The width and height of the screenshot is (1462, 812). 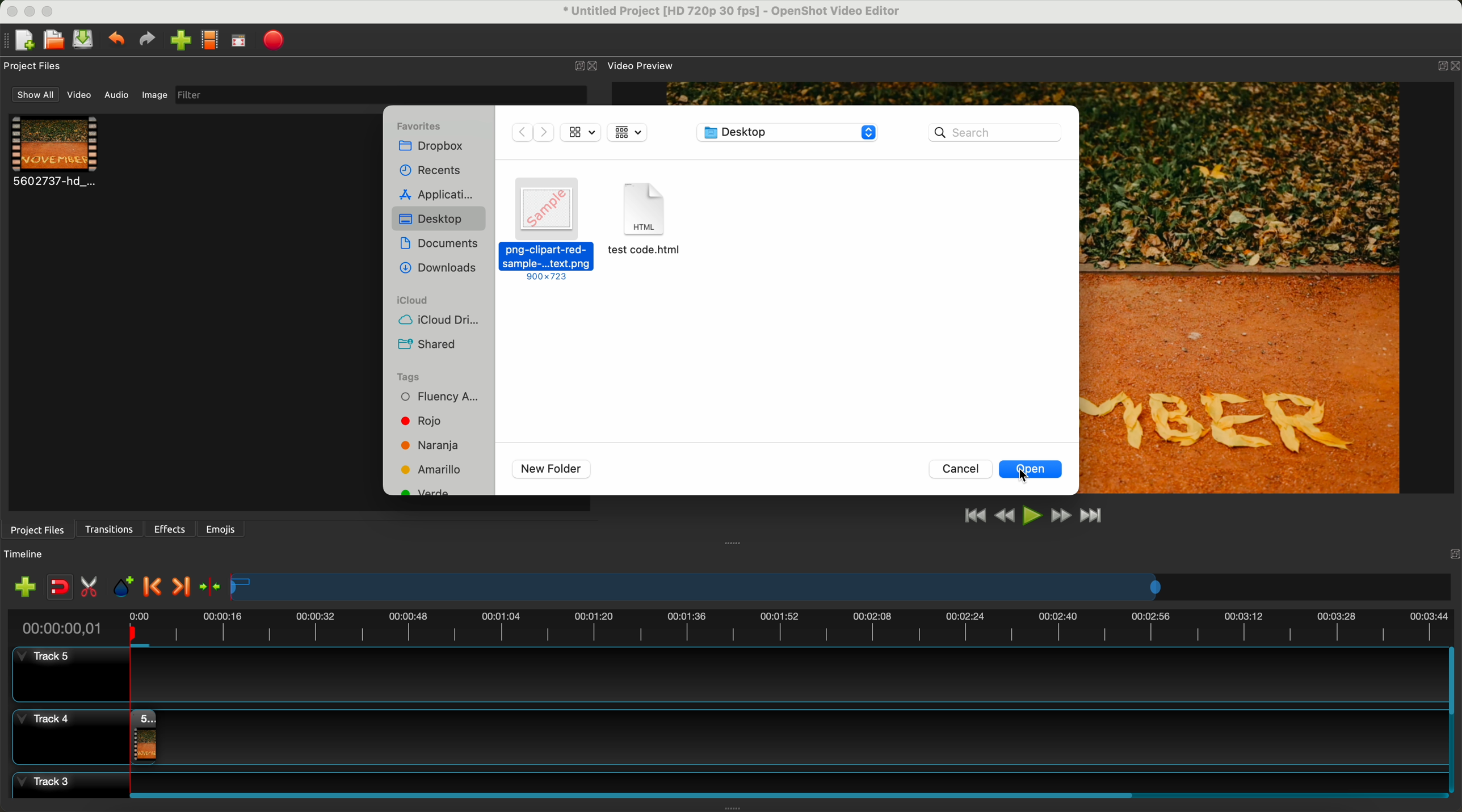 What do you see at coordinates (117, 94) in the screenshot?
I see `audio` at bounding box center [117, 94].